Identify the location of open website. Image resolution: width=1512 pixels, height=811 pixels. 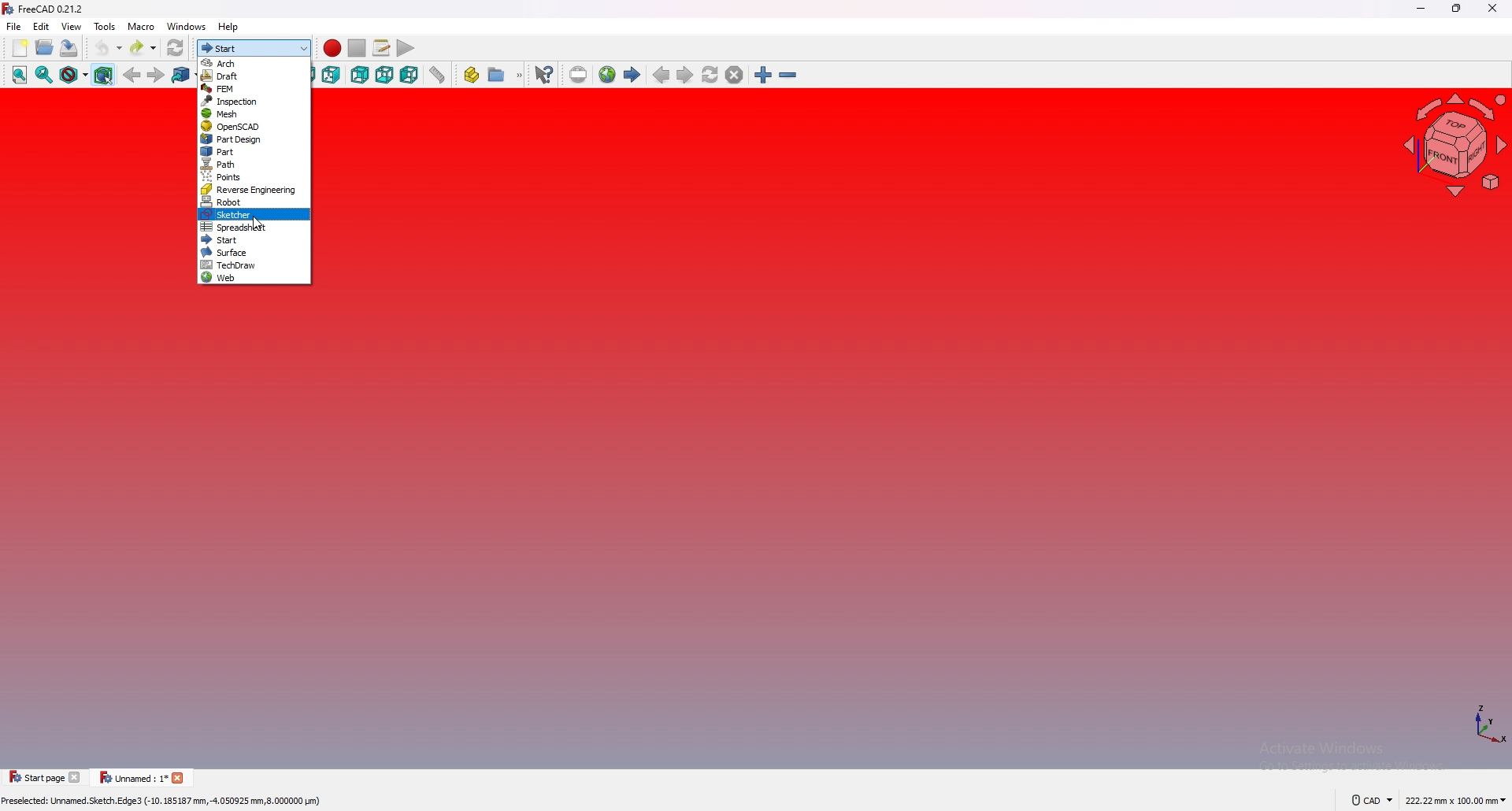
(608, 74).